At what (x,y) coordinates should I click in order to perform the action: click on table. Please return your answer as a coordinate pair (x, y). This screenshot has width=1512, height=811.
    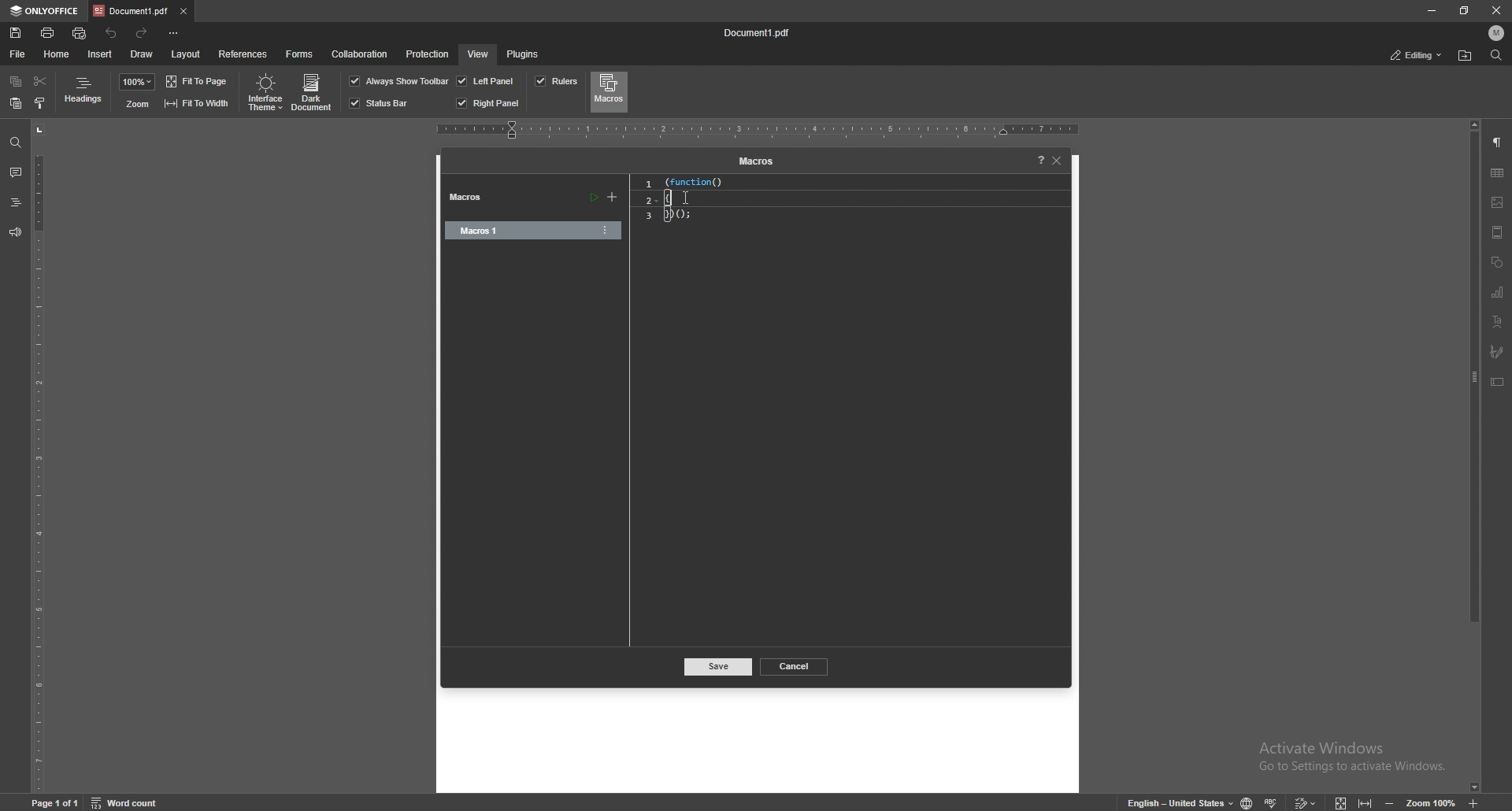
    Looking at the image, I should click on (1497, 173).